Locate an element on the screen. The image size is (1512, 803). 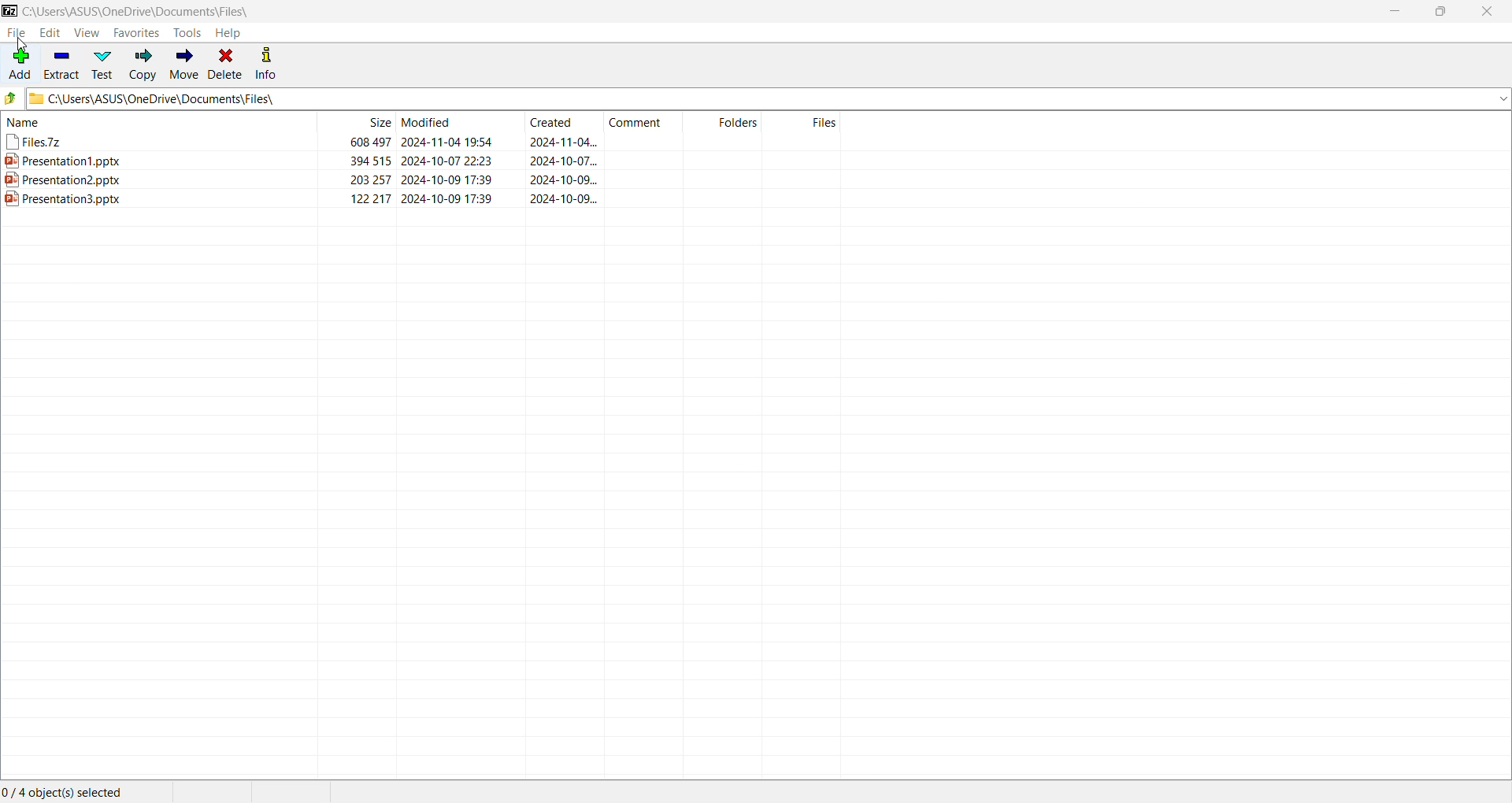
| YFiles.7z is located at coordinates (41, 142).